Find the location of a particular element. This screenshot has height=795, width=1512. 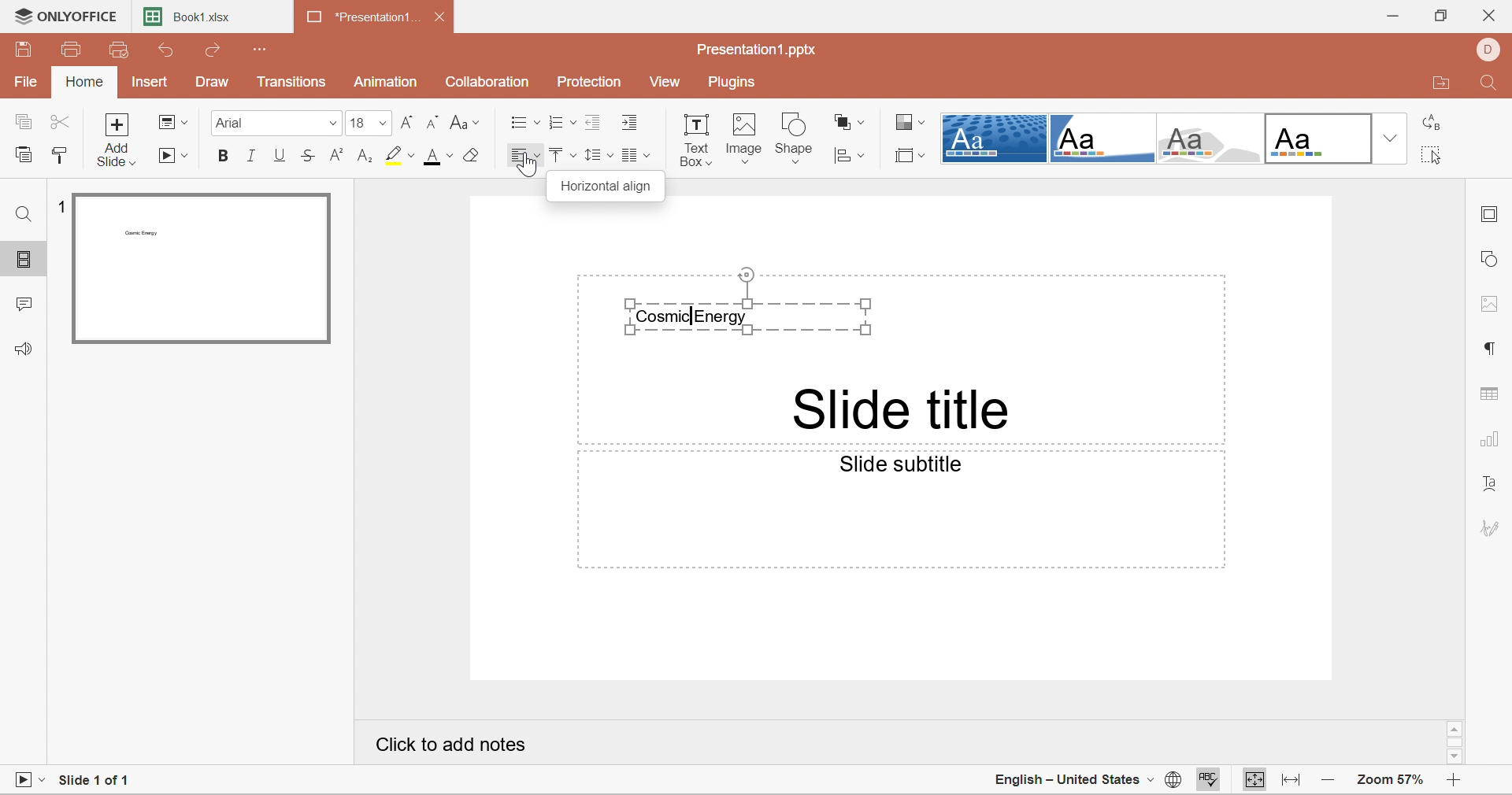

Slide subtitle is located at coordinates (906, 466).